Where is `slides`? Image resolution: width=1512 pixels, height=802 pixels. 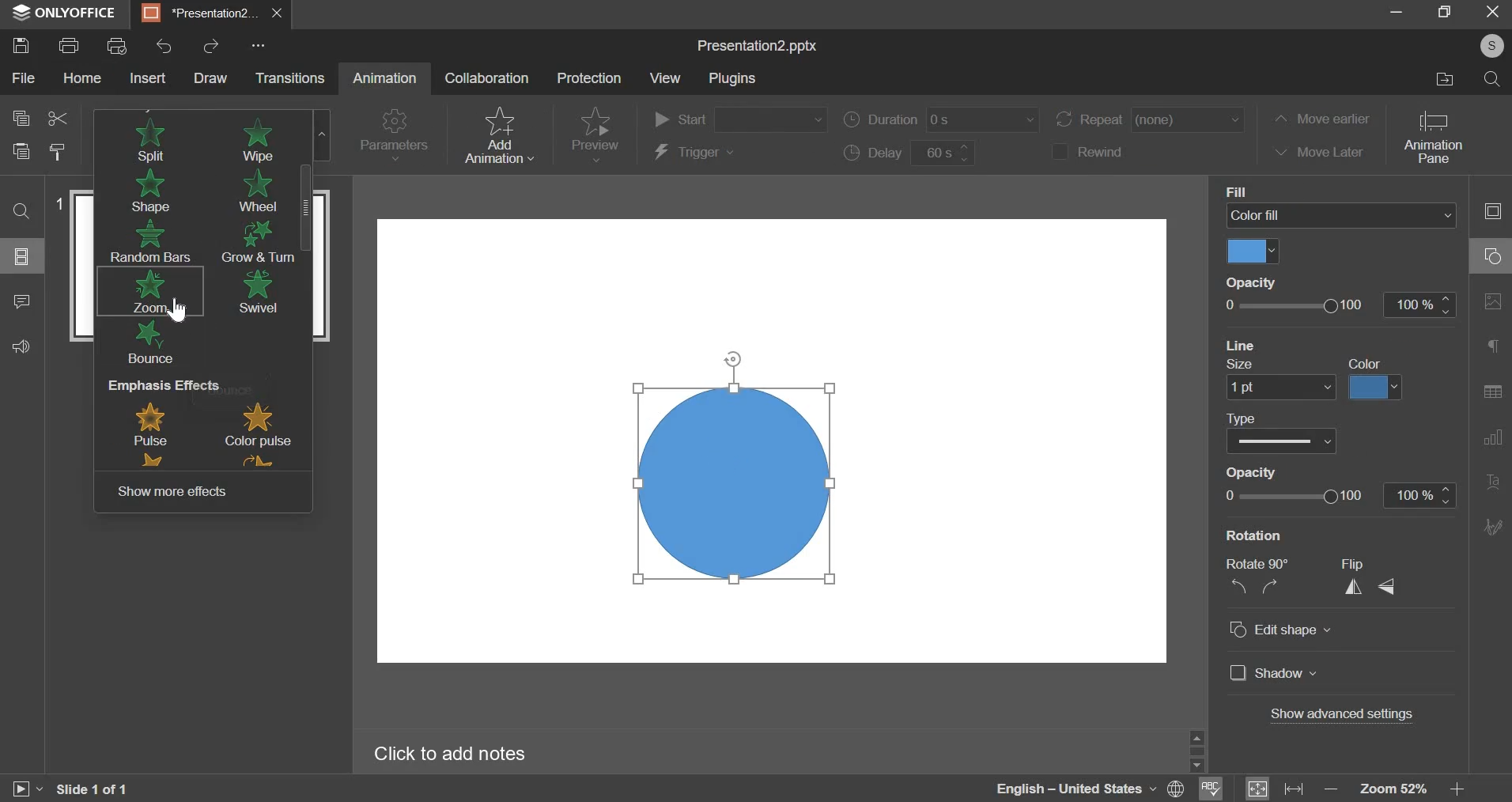
slides is located at coordinates (24, 256).